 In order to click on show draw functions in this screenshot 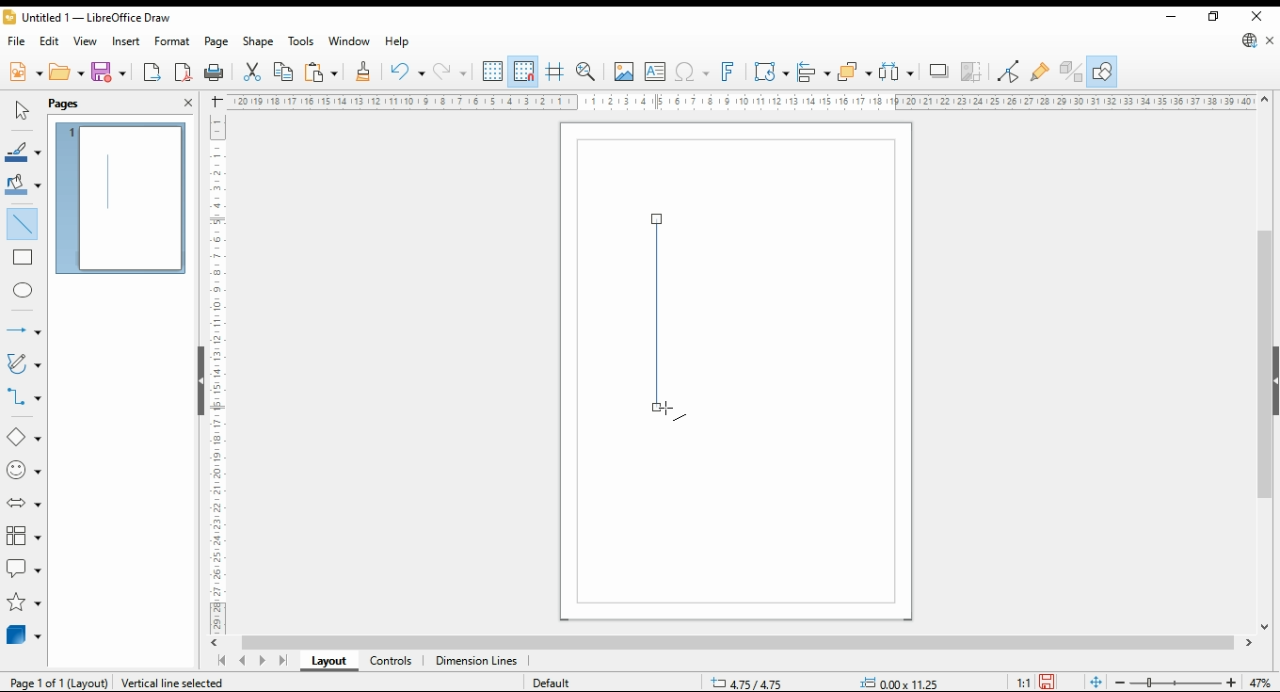, I will do `click(1102, 72)`.